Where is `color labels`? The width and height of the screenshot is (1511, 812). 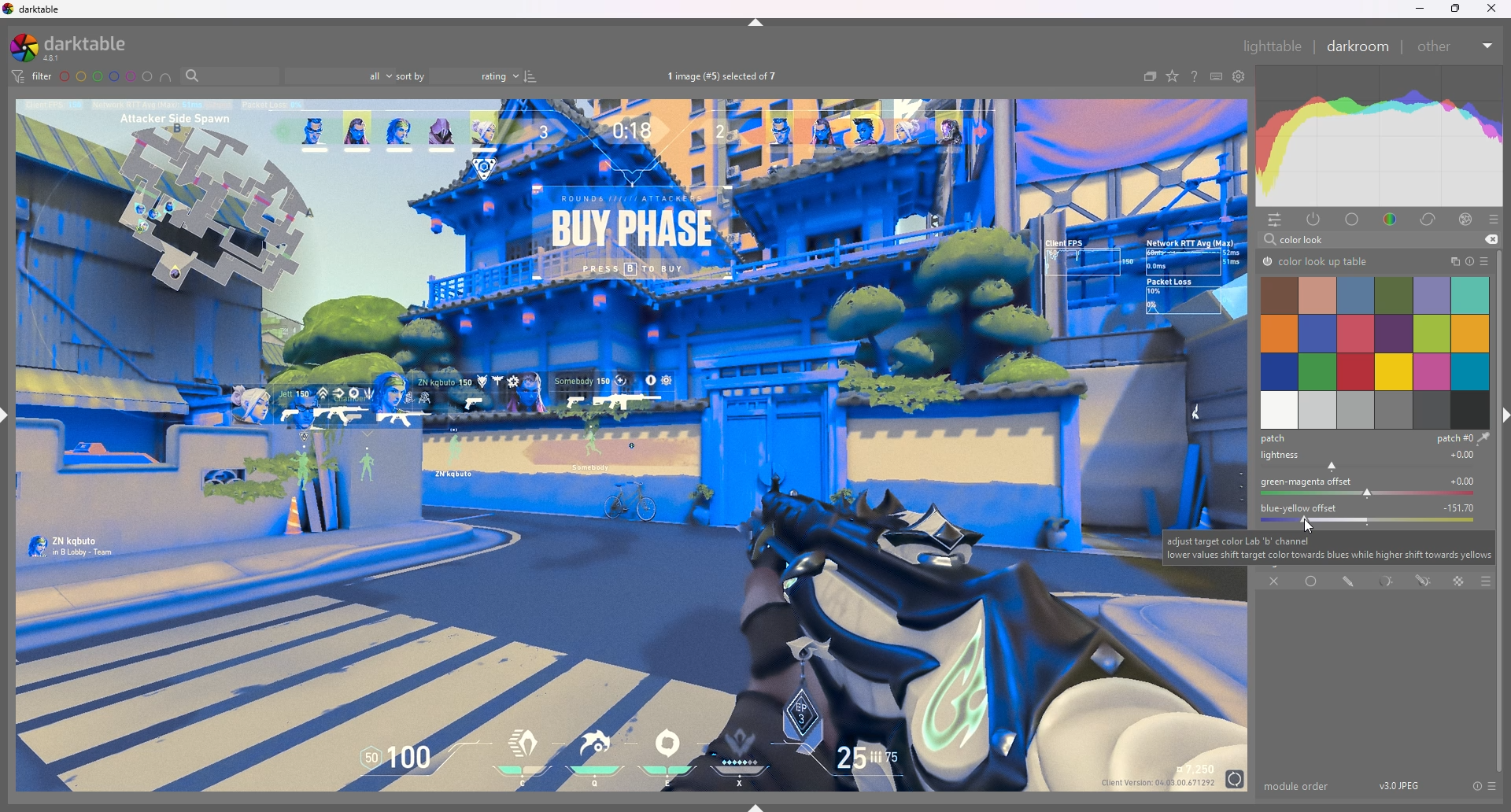
color labels is located at coordinates (105, 76).